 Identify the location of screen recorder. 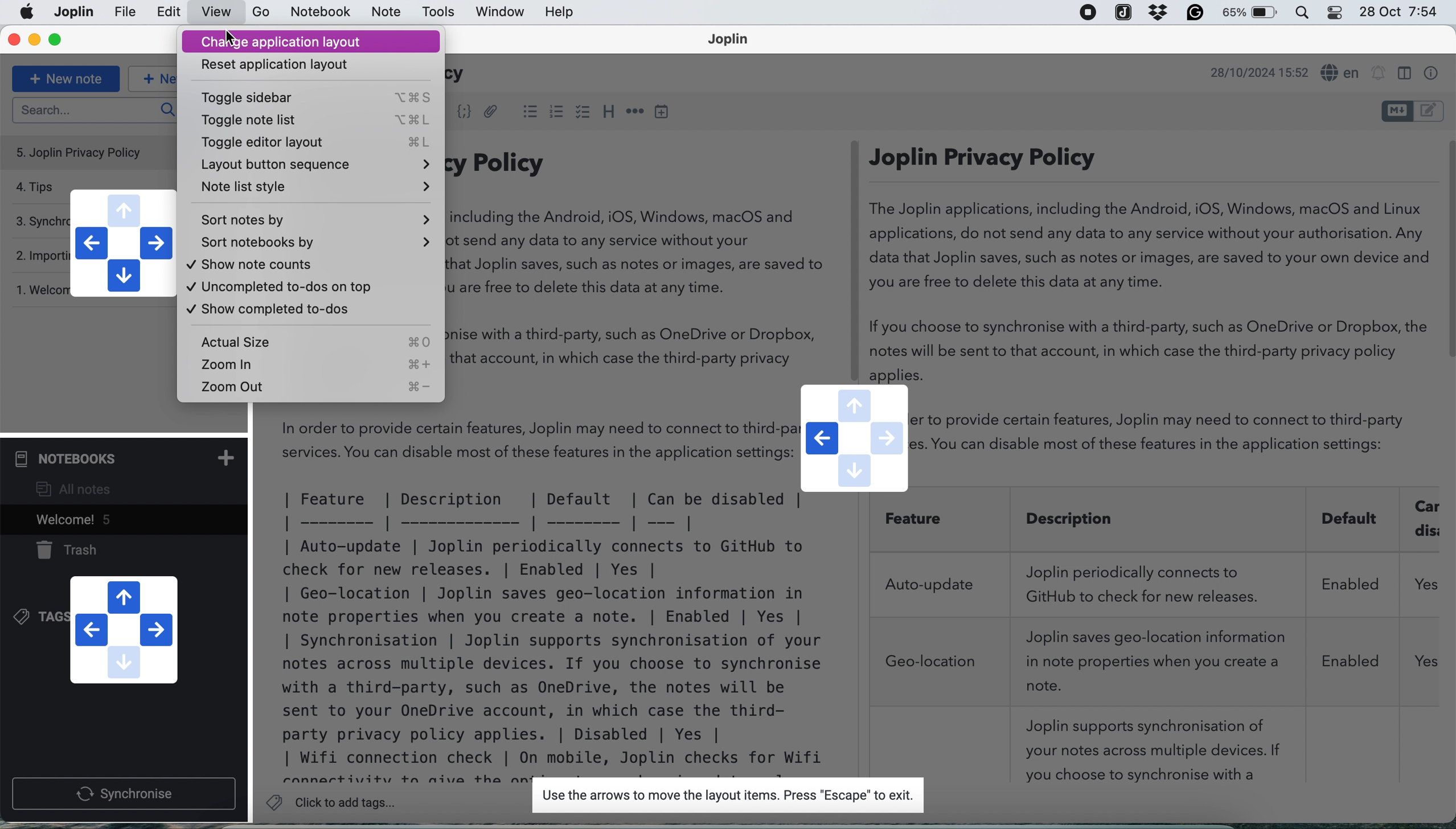
(1087, 14).